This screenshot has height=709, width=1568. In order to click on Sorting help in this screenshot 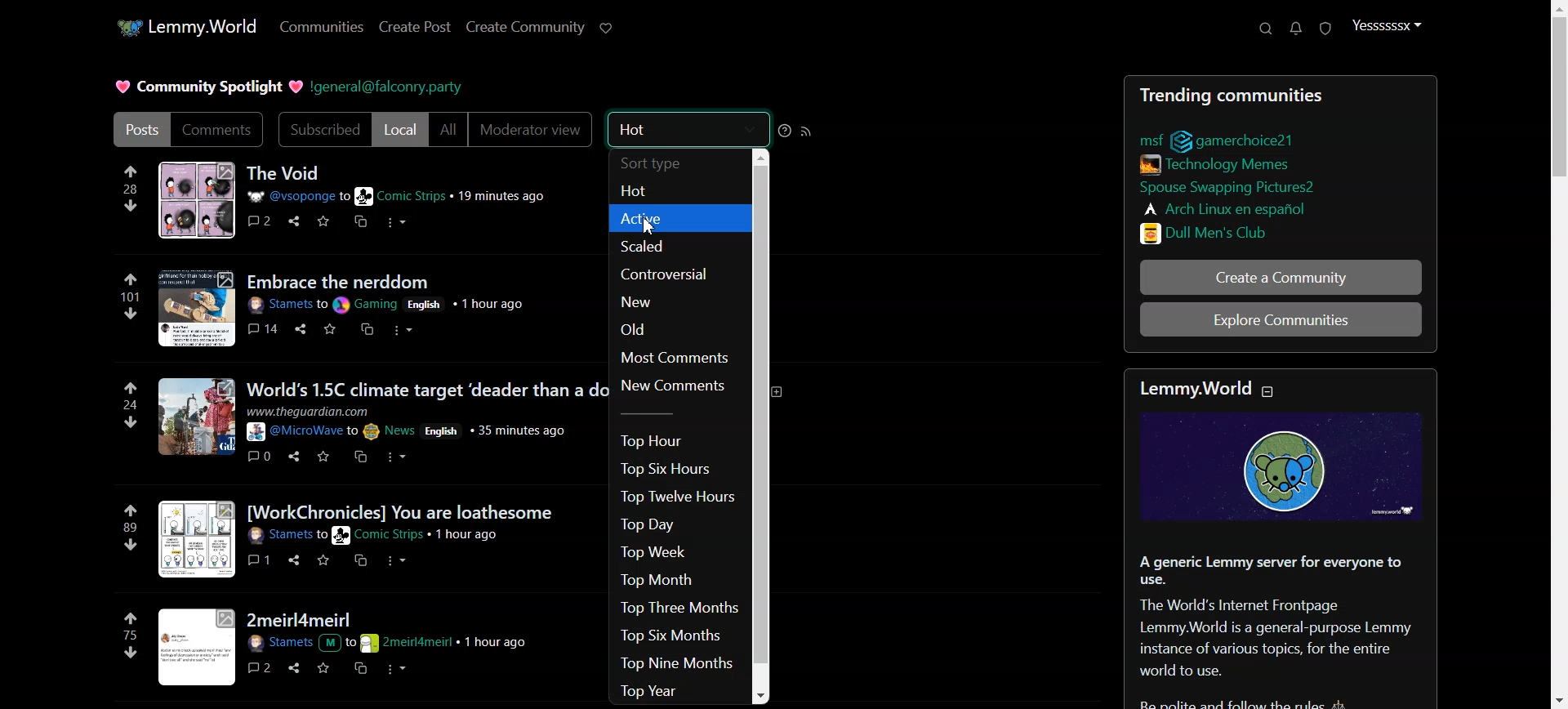, I will do `click(785, 130)`.